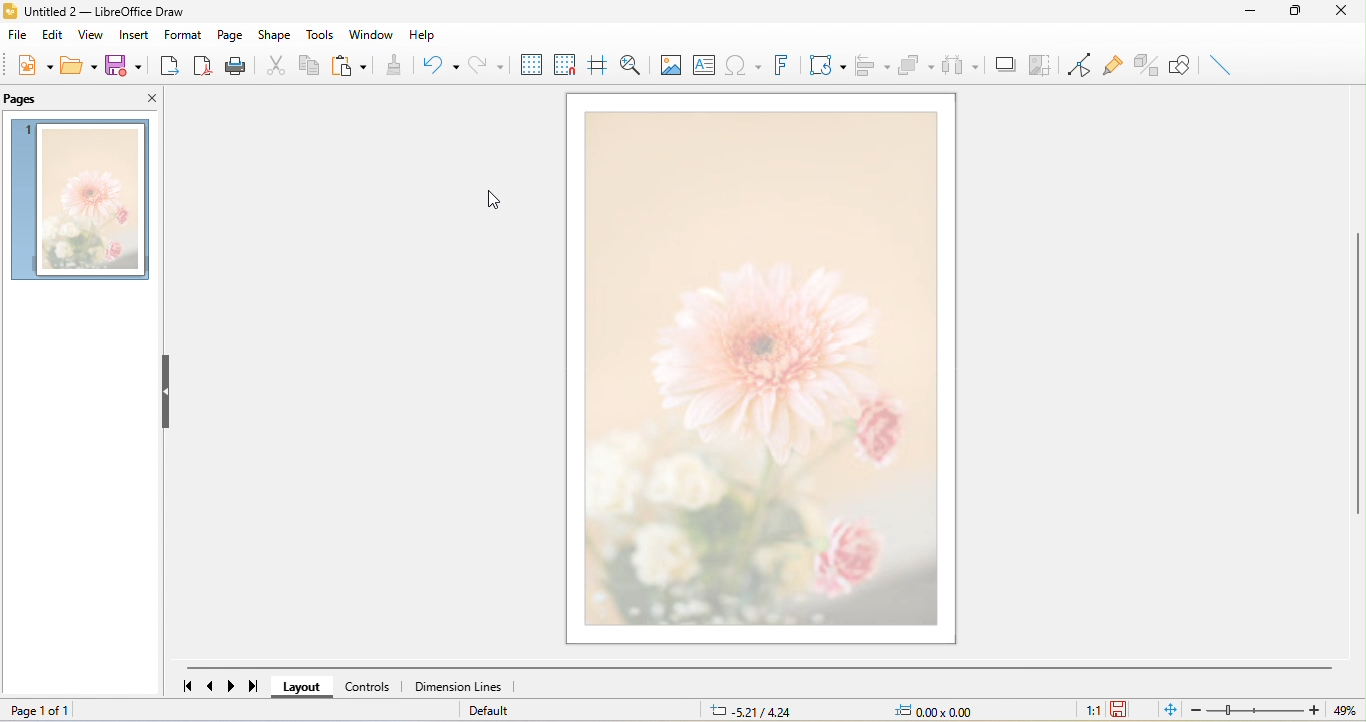 Image resolution: width=1366 pixels, height=722 pixels. What do you see at coordinates (1144, 65) in the screenshot?
I see `toggle extrusion` at bounding box center [1144, 65].